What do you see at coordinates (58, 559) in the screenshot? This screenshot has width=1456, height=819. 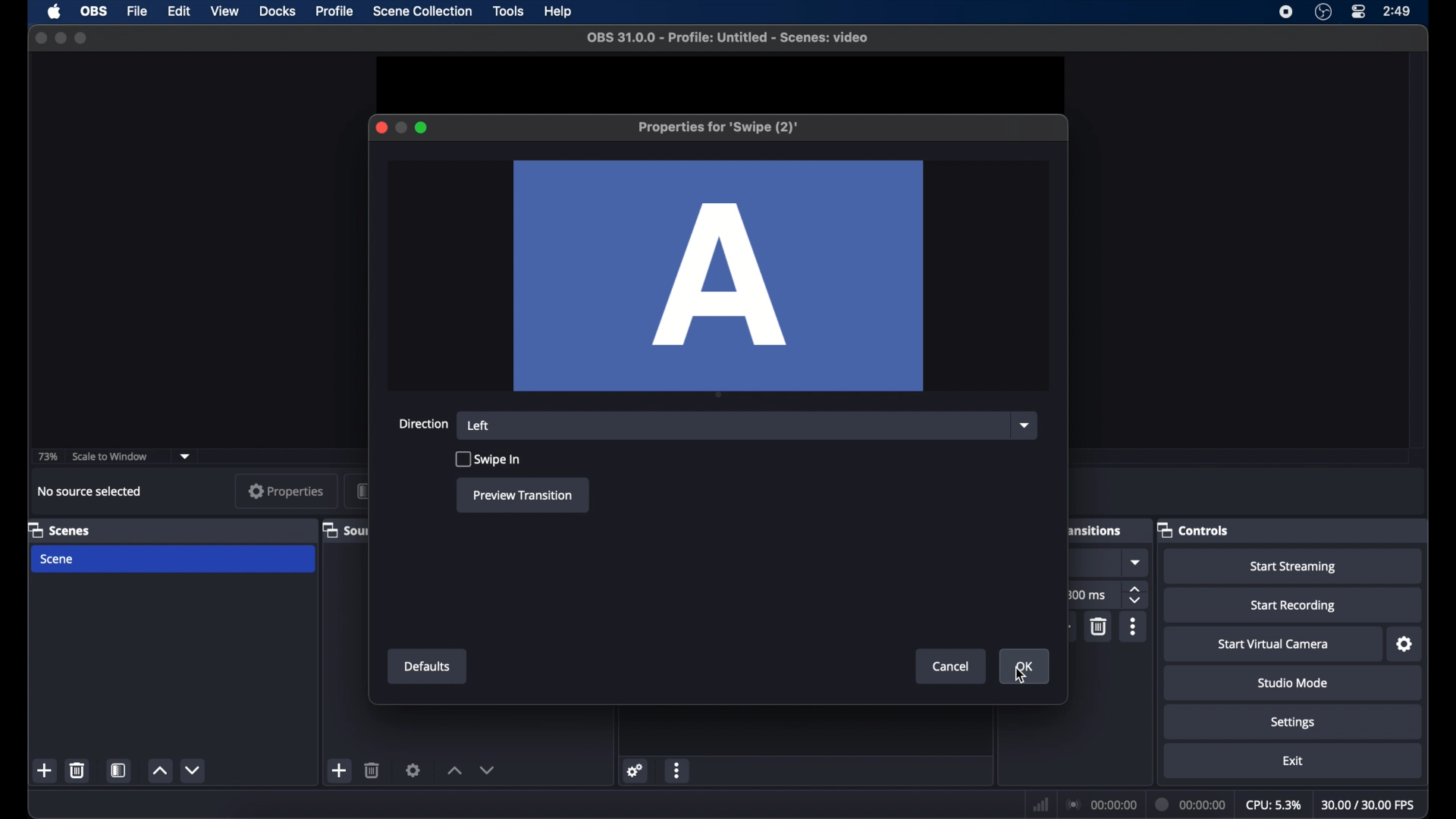 I see `scene` at bounding box center [58, 559].